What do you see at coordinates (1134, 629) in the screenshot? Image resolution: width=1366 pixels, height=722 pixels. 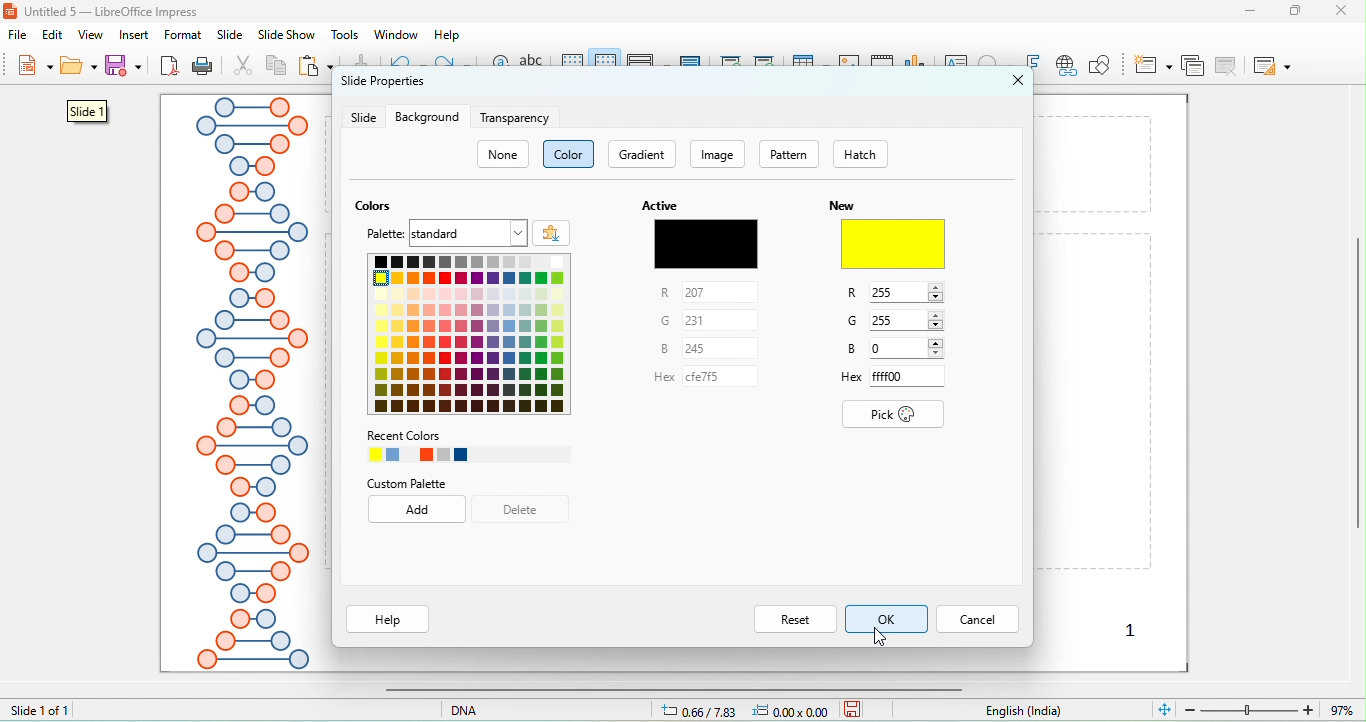 I see `1` at bounding box center [1134, 629].